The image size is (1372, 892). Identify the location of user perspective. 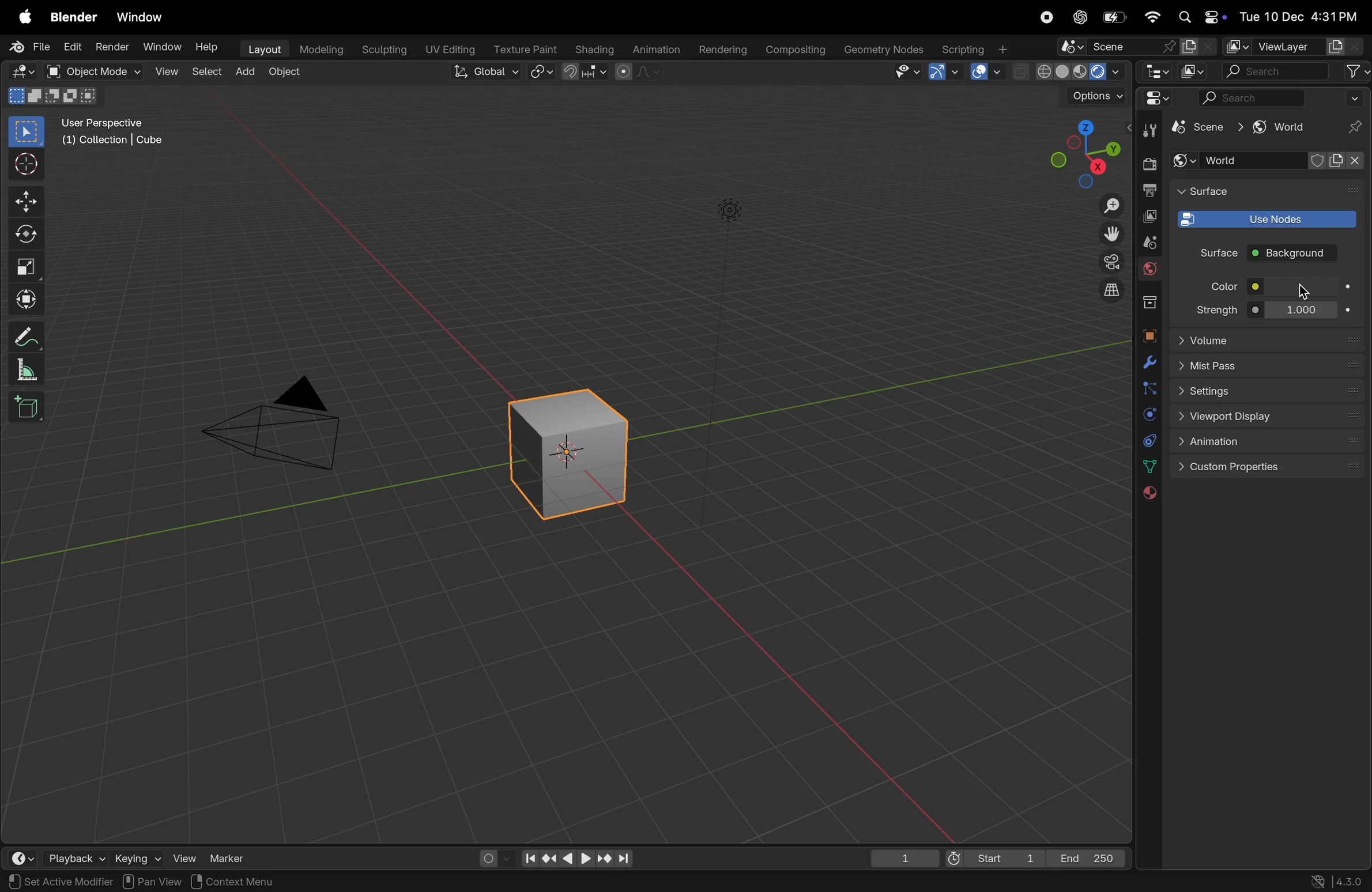
(119, 134).